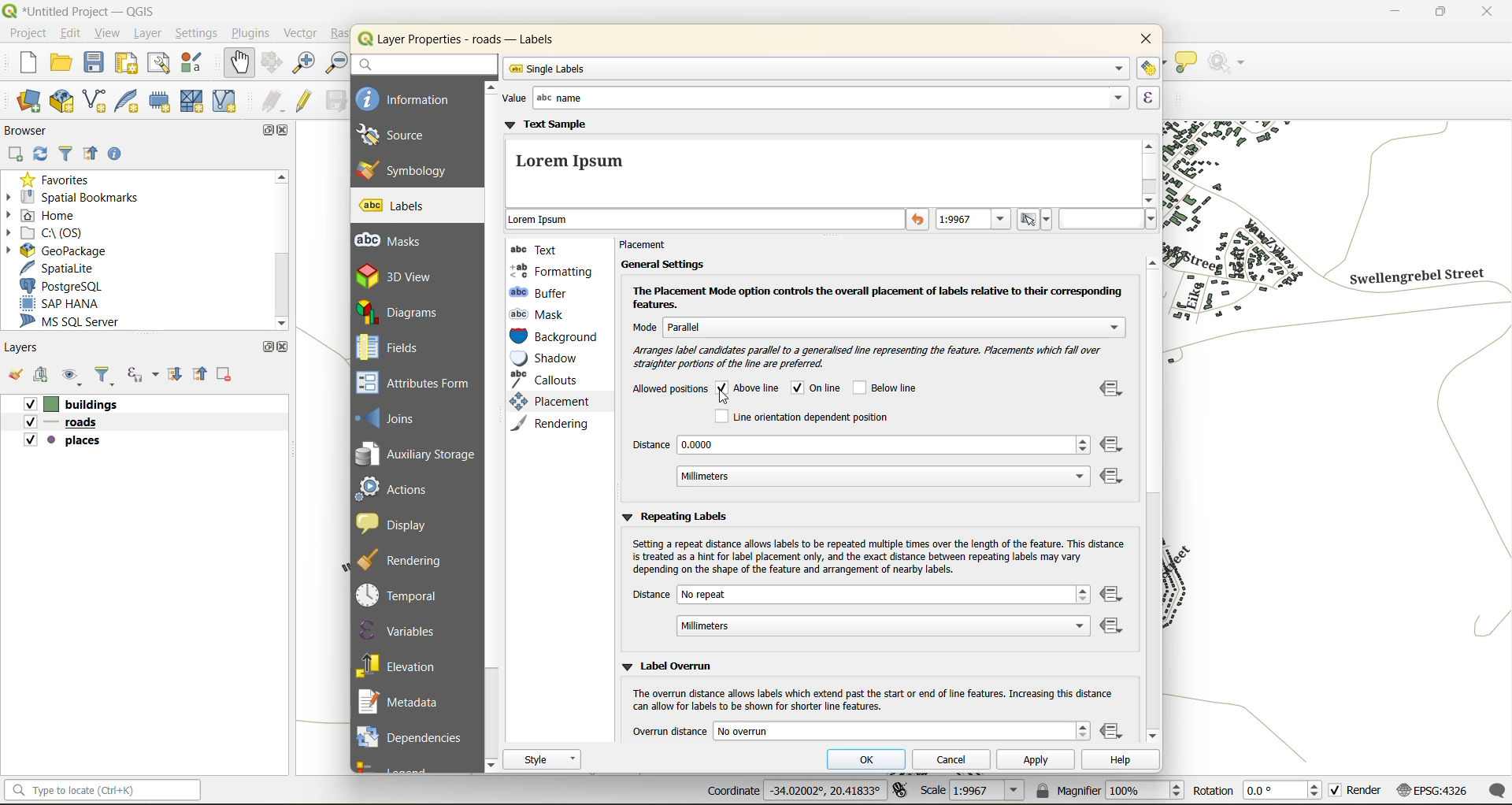 Image resolution: width=1512 pixels, height=805 pixels. I want to click on diagrams, so click(407, 312).